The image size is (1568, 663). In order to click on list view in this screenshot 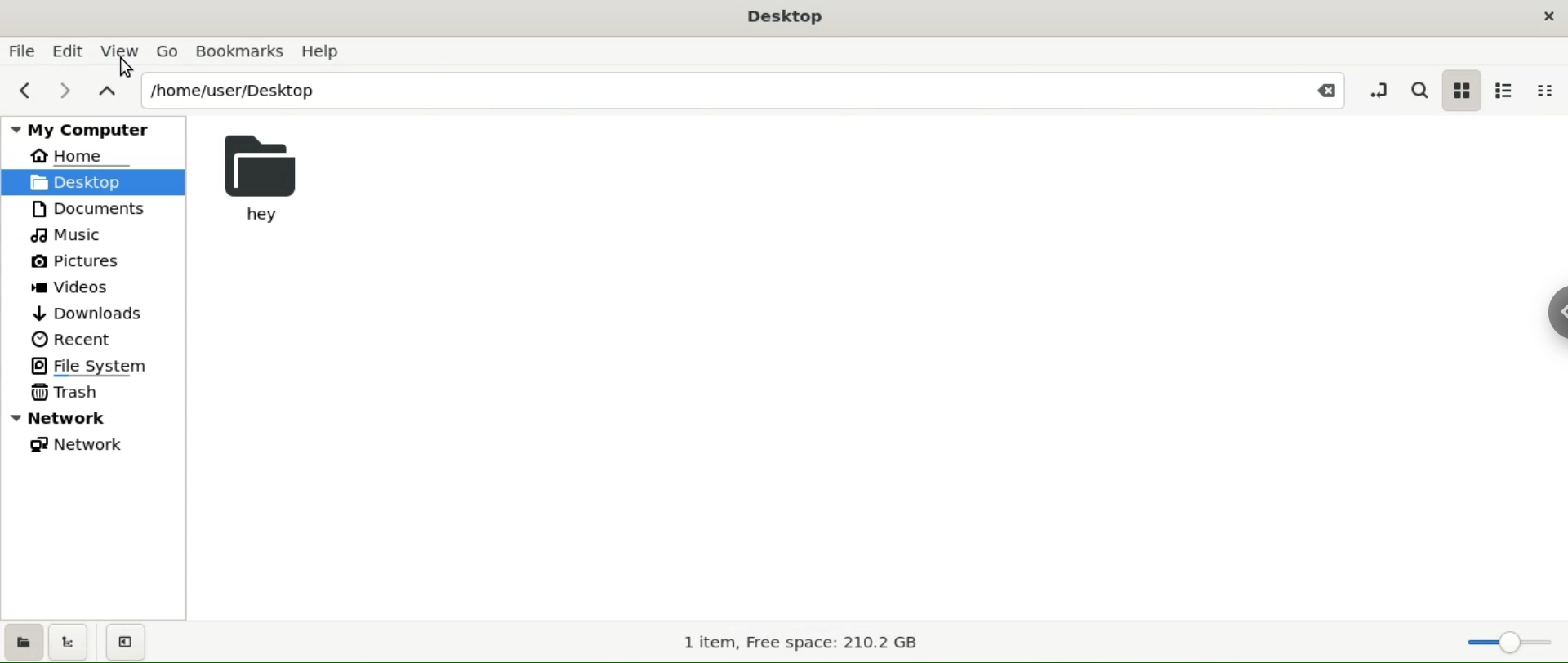, I will do `click(1511, 90)`.